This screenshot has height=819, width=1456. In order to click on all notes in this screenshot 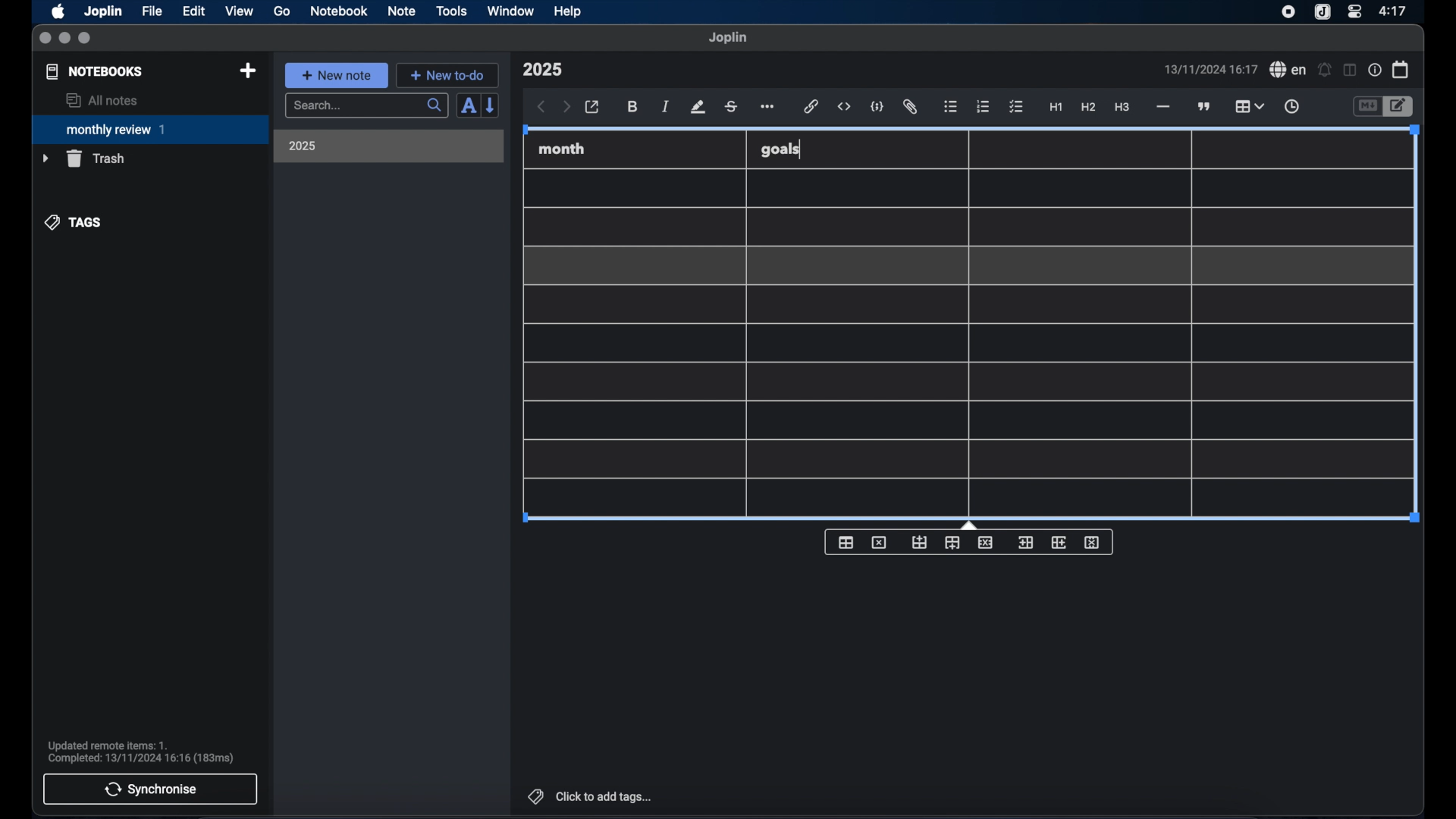, I will do `click(102, 100)`.